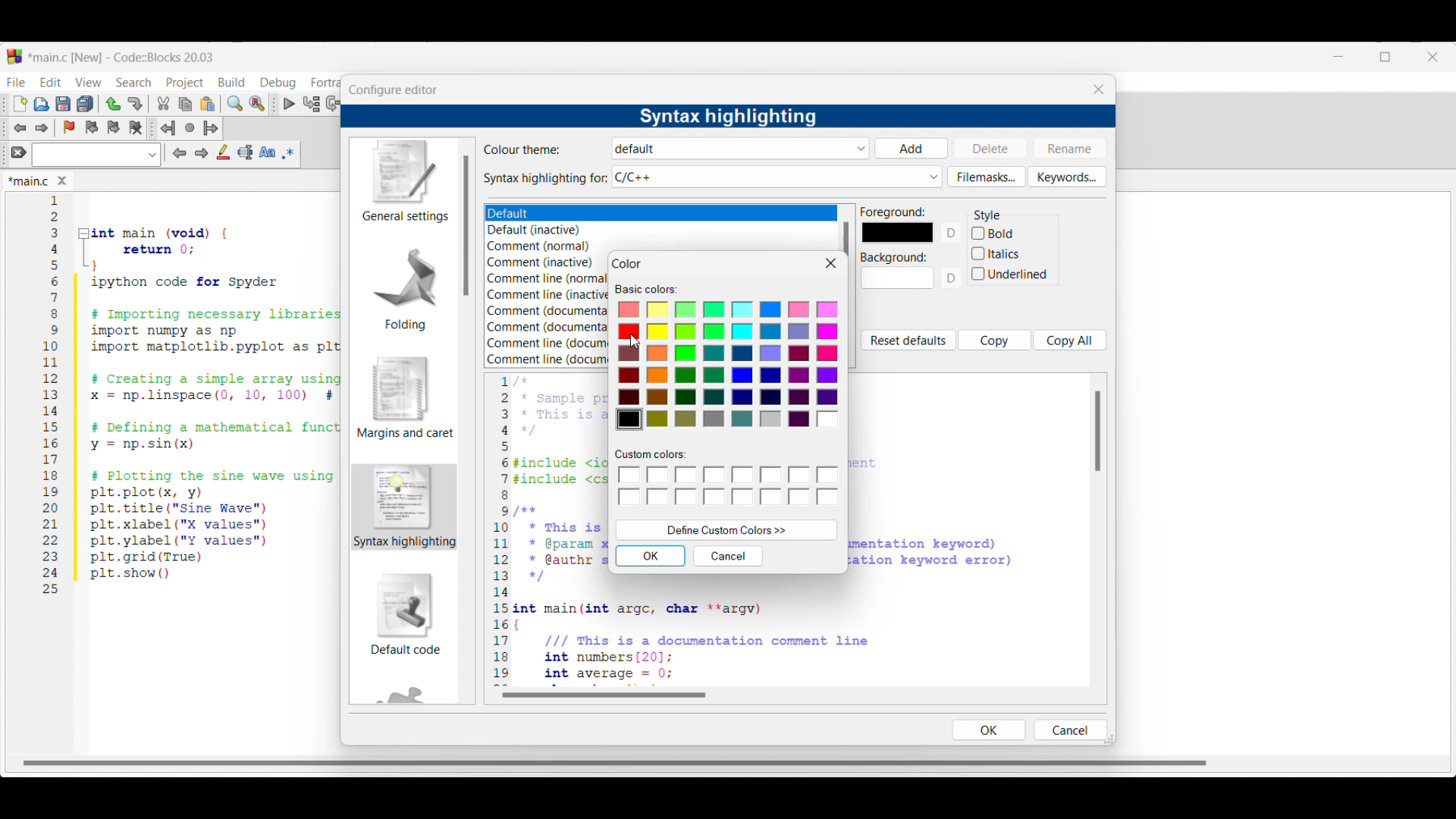 This screenshot has height=819, width=1456. Describe the element at coordinates (1338, 57) in the screenshot. I see `Minimize ` at that location.